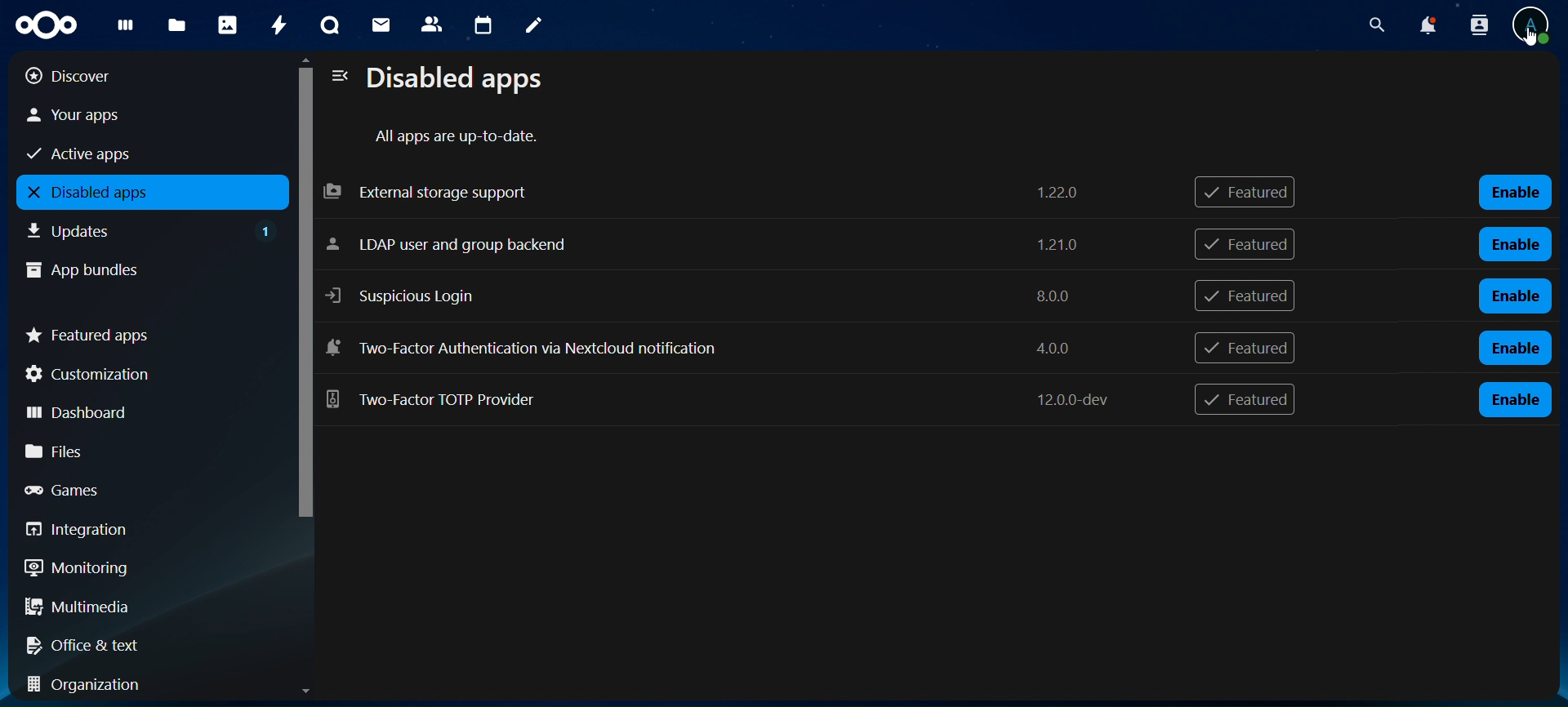 This screenshot has width=1568, height=707. What do you see at coordinates (1245, 243) in the screenshot?
I see `featured` at bounding box center [1245, 243].